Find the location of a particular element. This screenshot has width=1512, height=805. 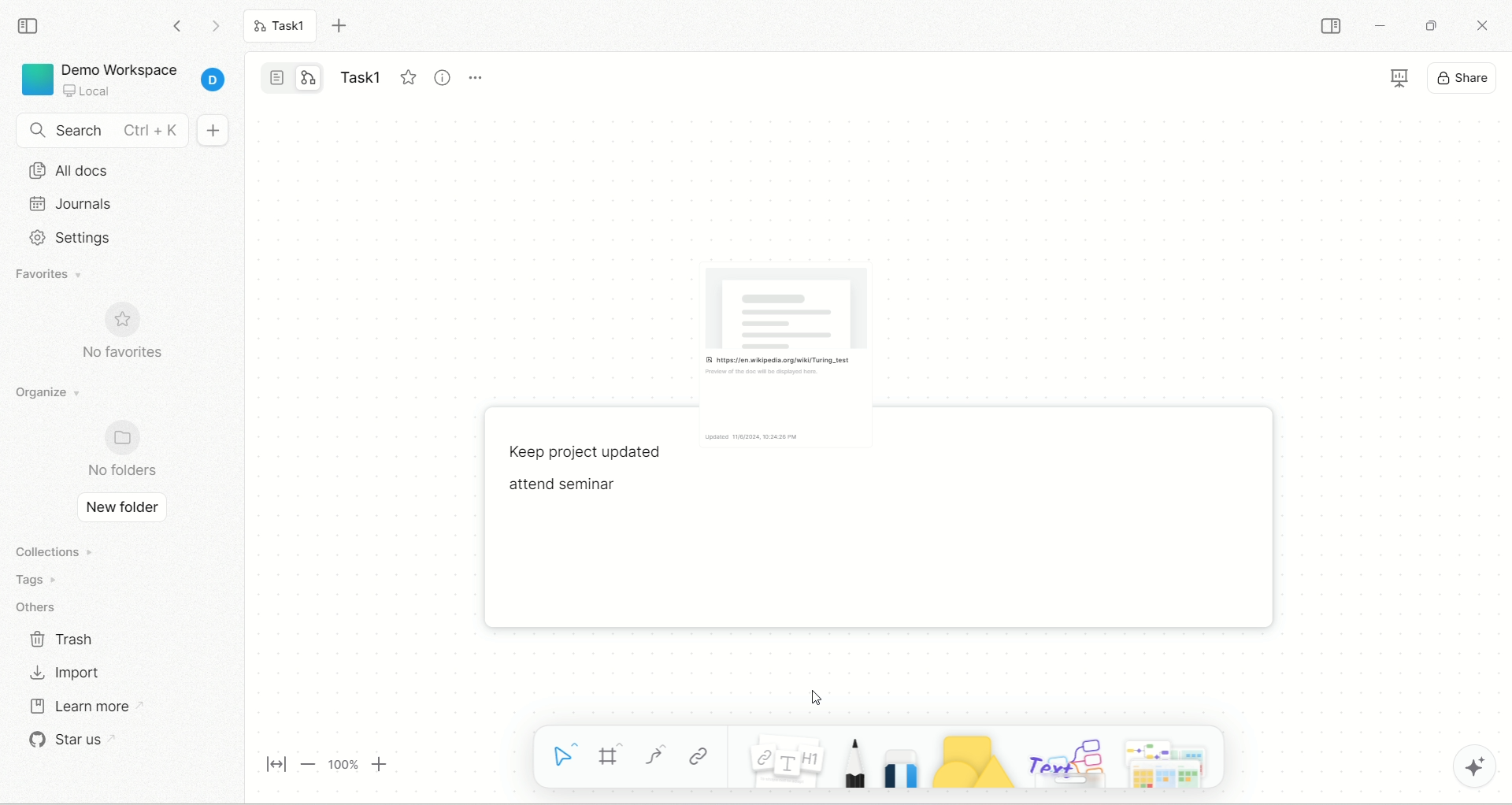

favorite is located at coordinates (406, 77).